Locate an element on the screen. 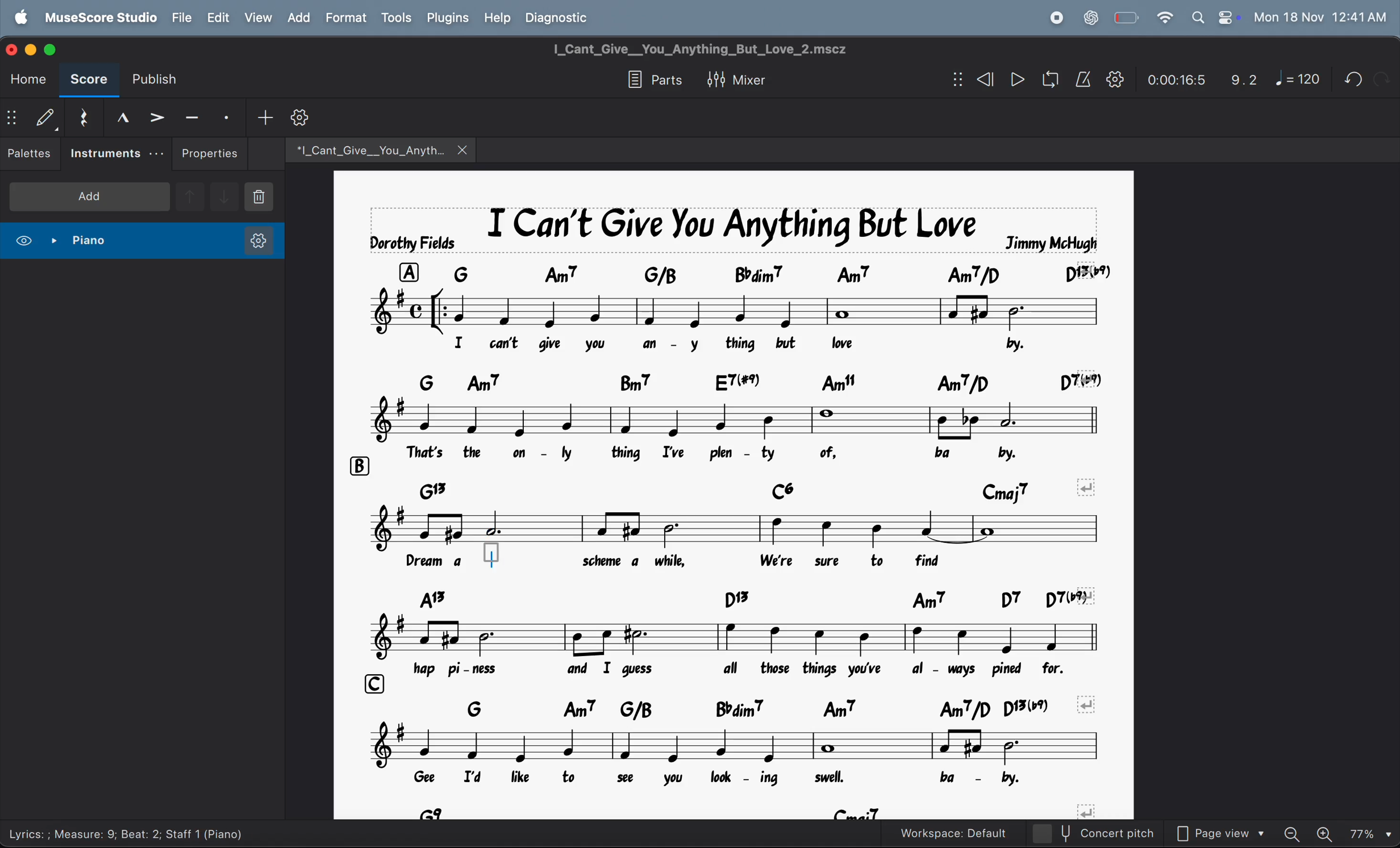 This screenshot has width=1400, height=848. play is located at coordinates (1017, 80).